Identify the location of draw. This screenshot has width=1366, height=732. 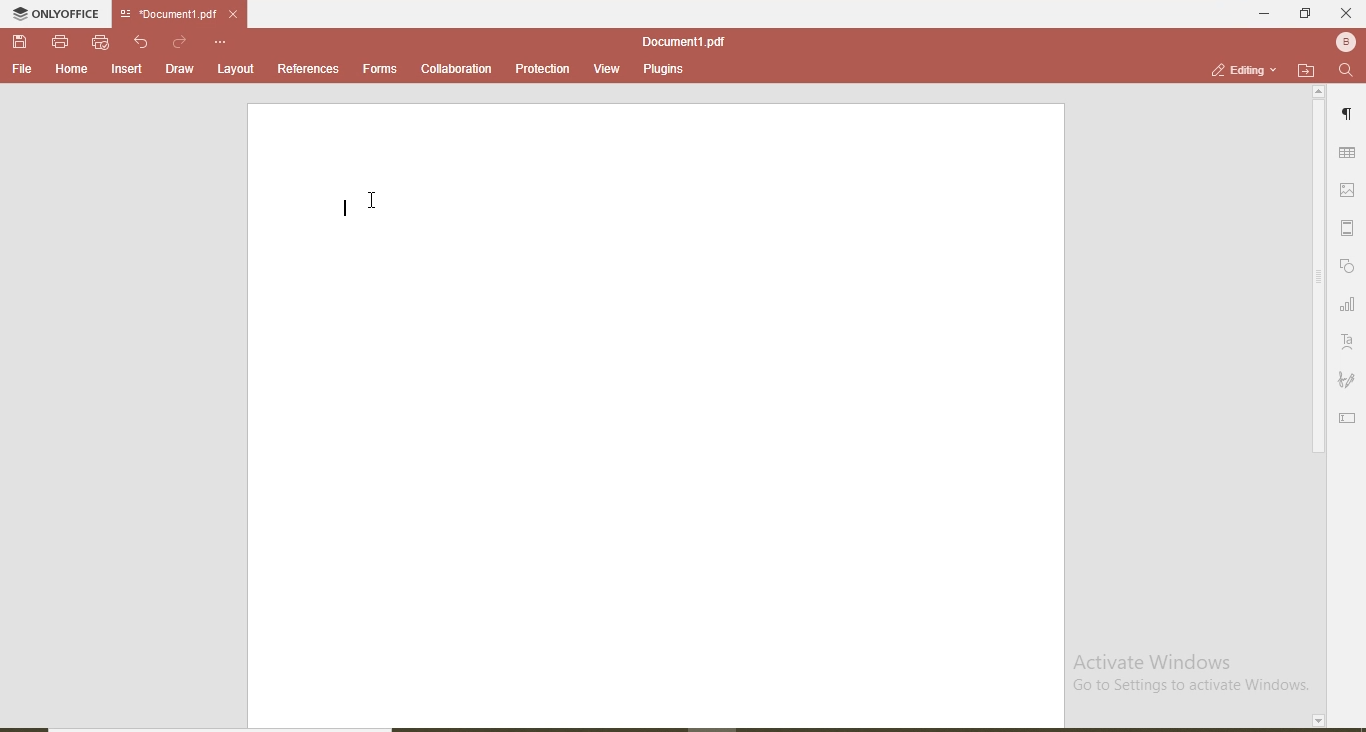
(178, 68).